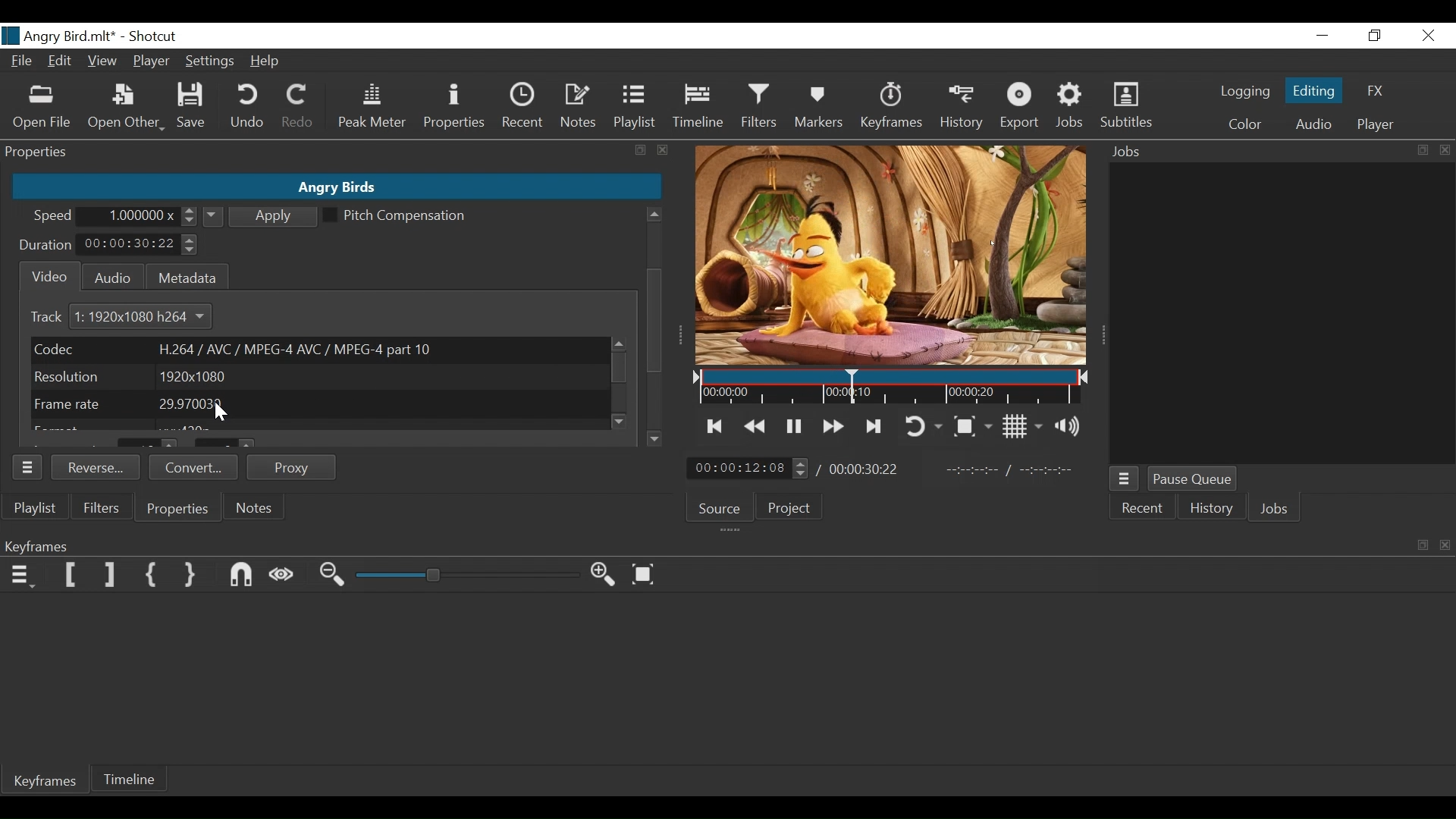  I want to click on Redo, so click(298, 109).